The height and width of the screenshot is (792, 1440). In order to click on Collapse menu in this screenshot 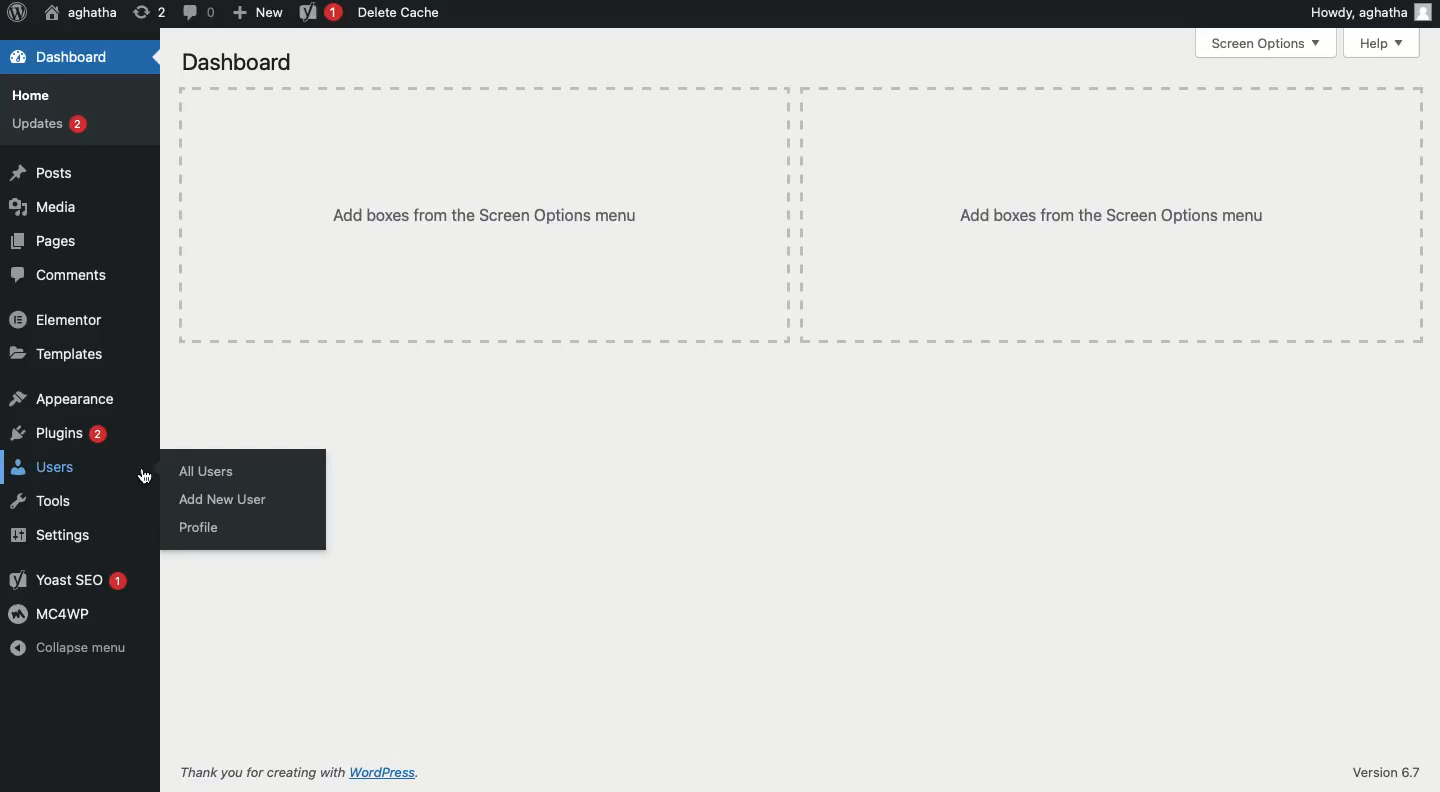, I will do `click(78, 649)`.